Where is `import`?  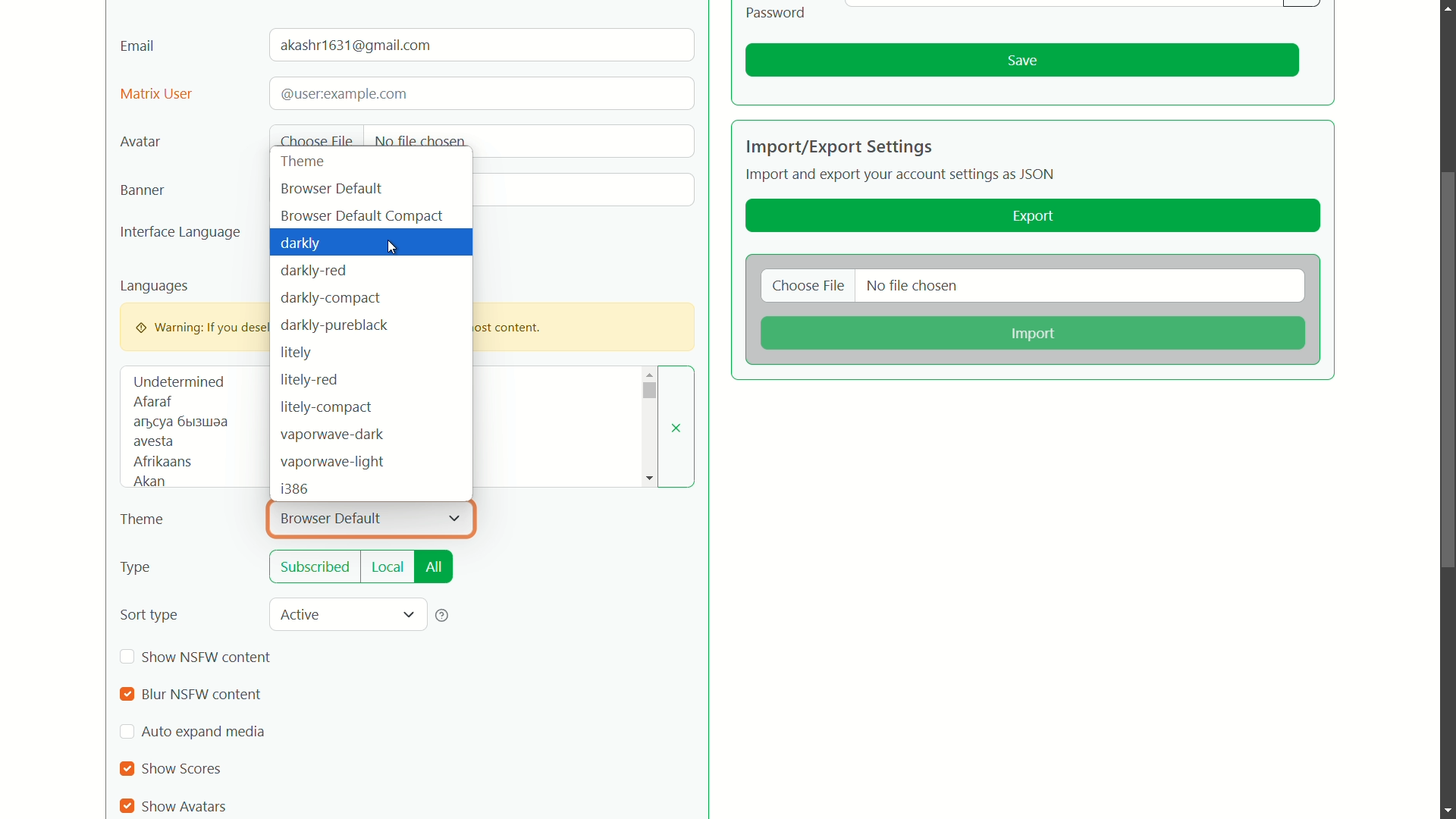
import is located at coordinates (1031, 334).